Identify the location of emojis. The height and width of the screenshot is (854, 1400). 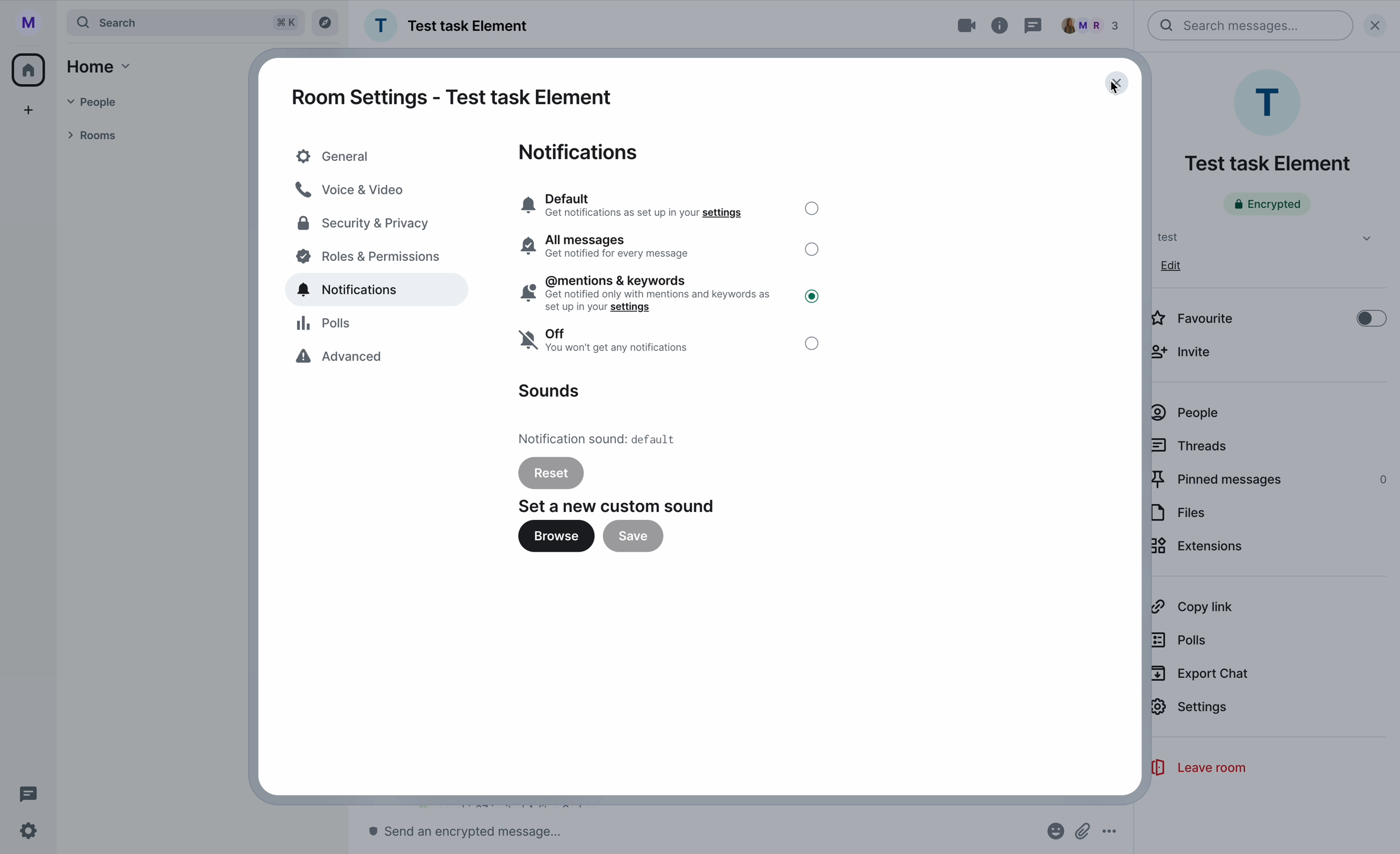
(1054, 832).